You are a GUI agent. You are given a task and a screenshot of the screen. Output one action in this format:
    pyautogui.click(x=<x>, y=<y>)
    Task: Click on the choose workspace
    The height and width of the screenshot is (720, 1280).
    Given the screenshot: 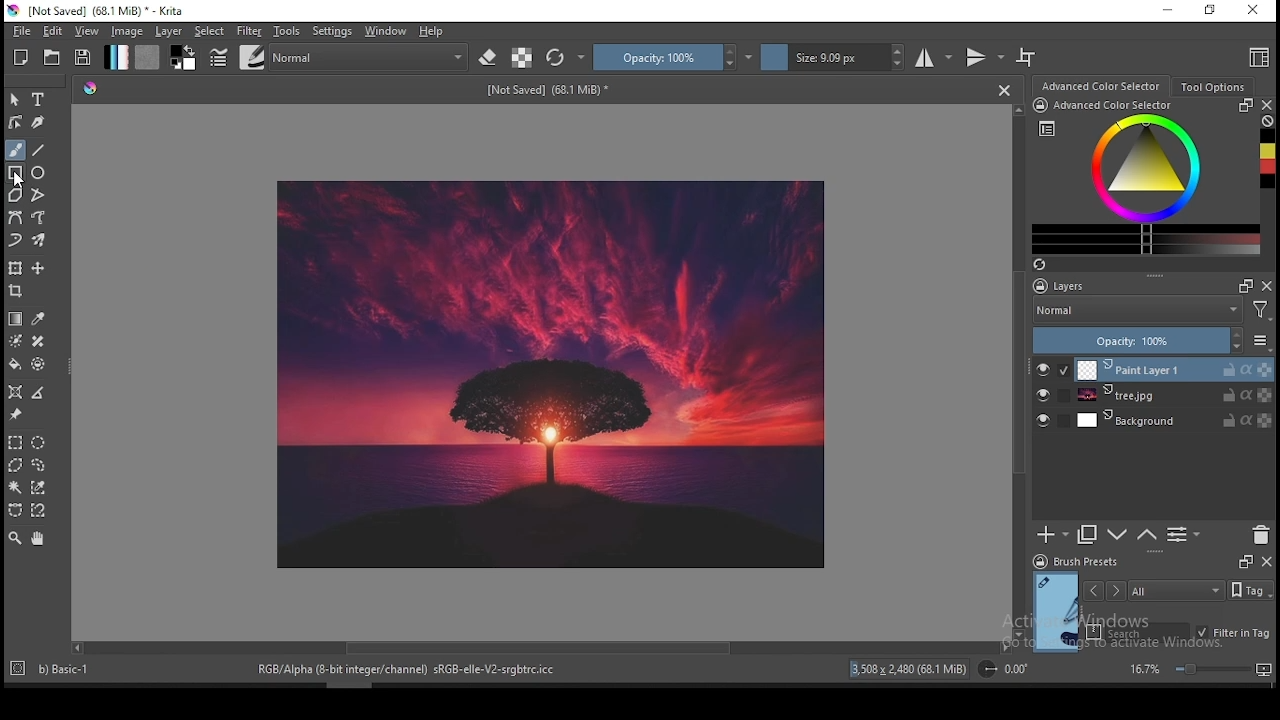 What is the action you would take?
    pyautogui.click(x=1257, y=59)
    